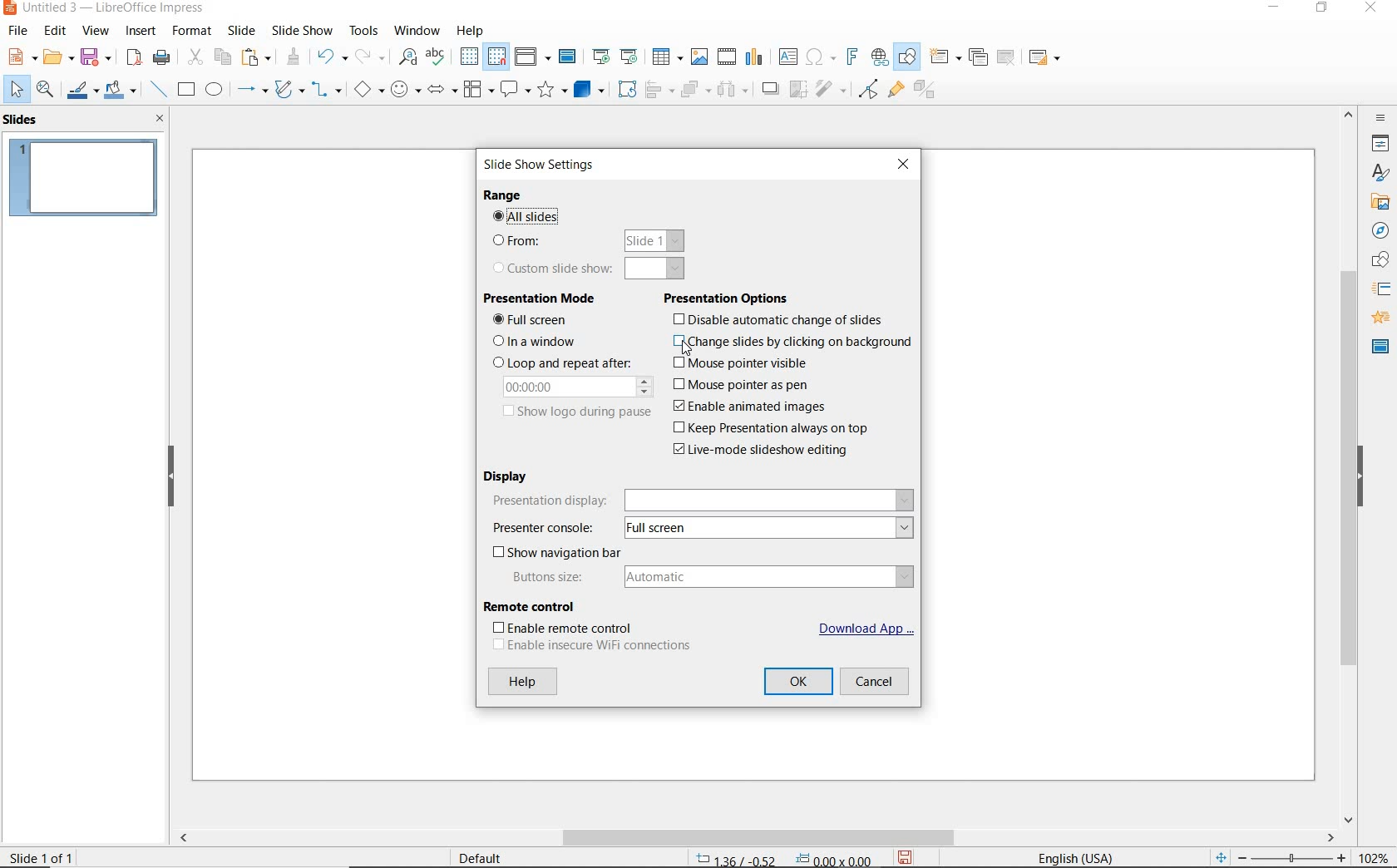 Image resolution: width=1397 pixels, height=868 pixels. I want to click on live-mode slideshow editing, so click(760, 450).